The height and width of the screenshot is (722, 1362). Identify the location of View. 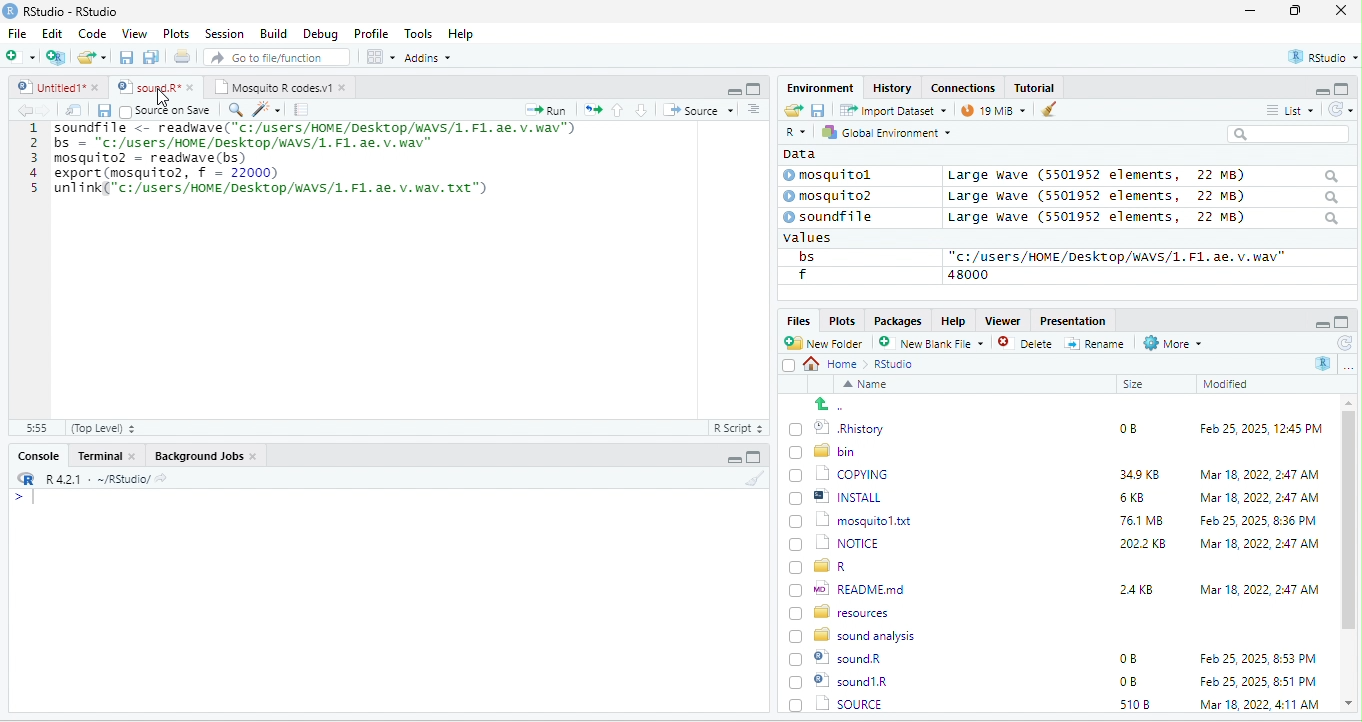
(133, 35).